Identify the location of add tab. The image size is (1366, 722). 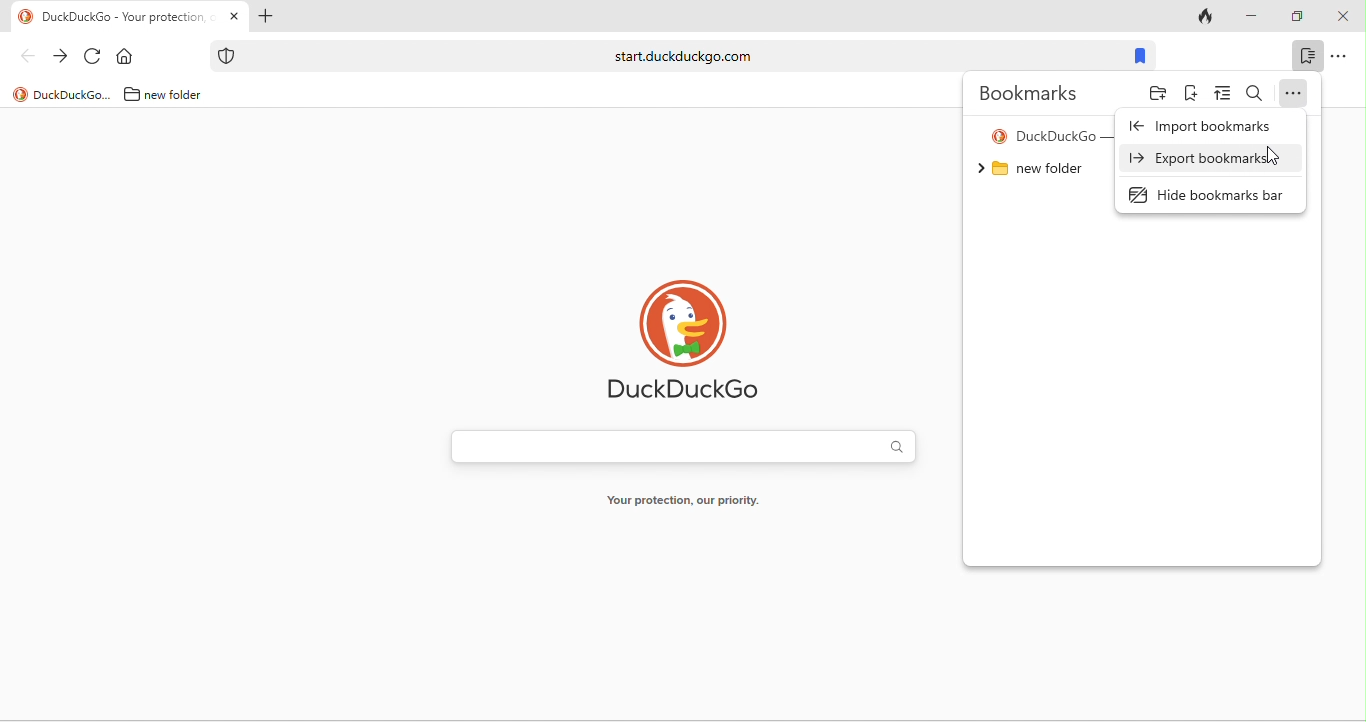
(265, 16).